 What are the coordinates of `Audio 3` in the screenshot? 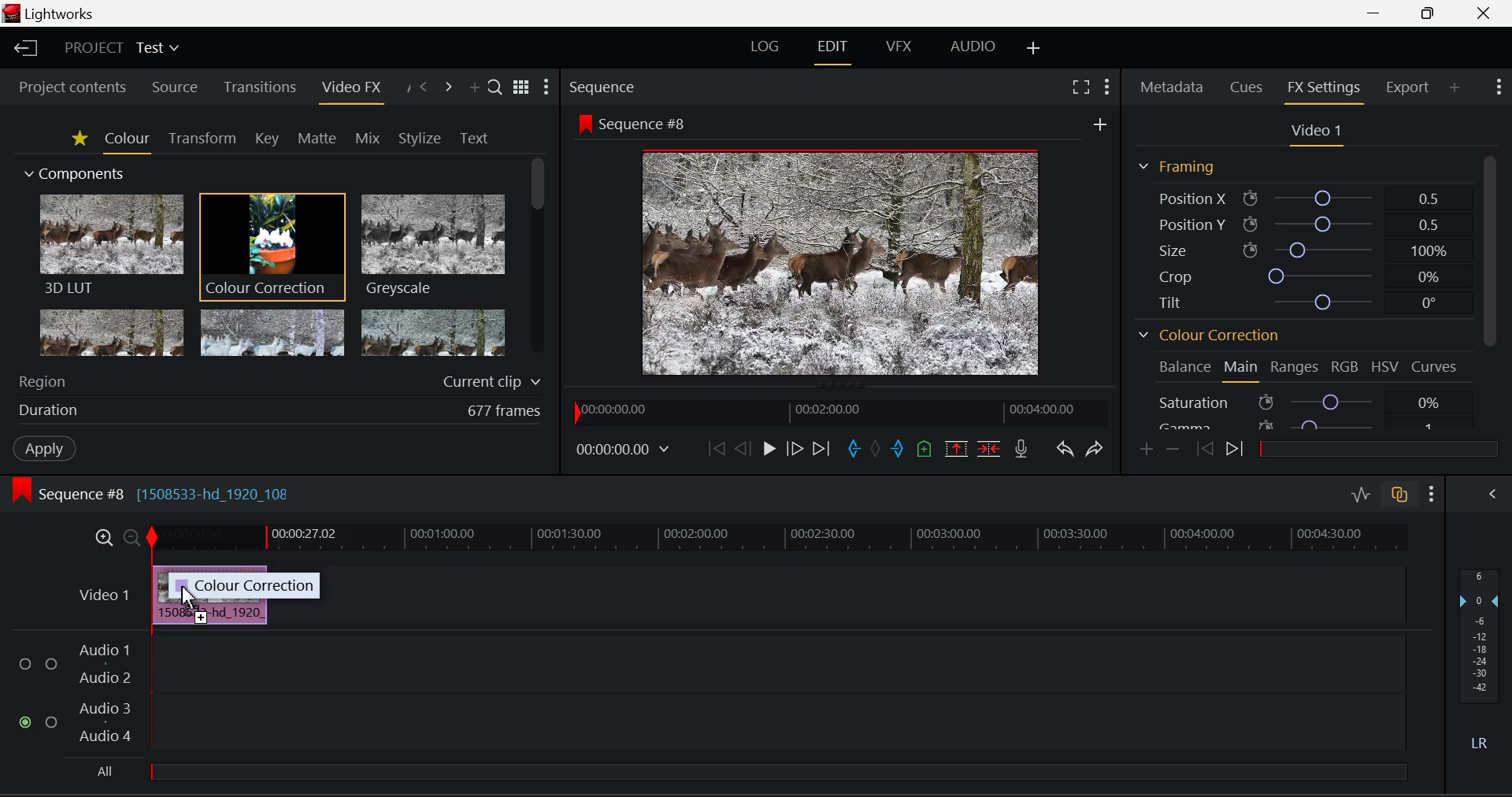 It's located at (105, 710).